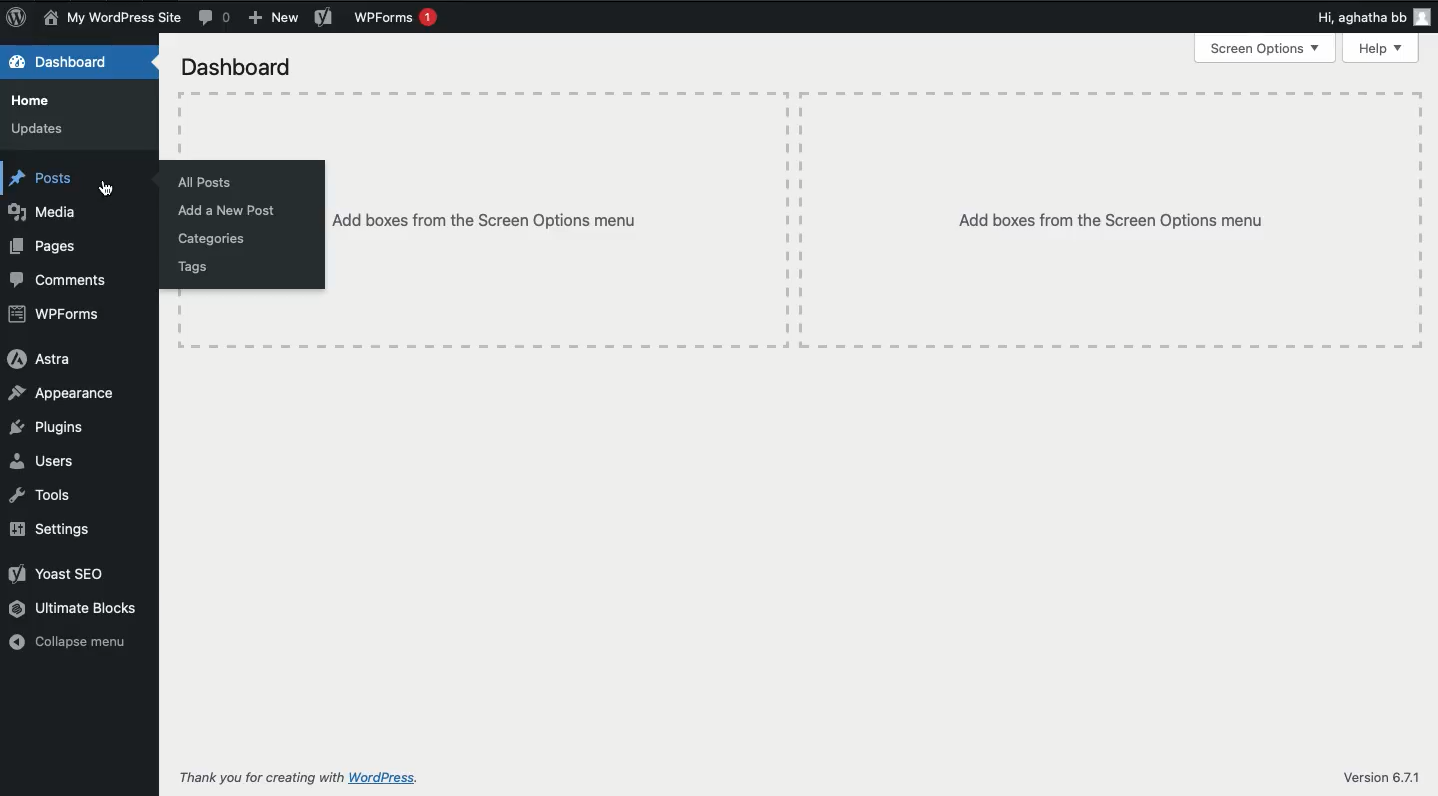 The height and width of the screenshot is (796, 1438). I want to click on Hi user, so click(1342, 19).